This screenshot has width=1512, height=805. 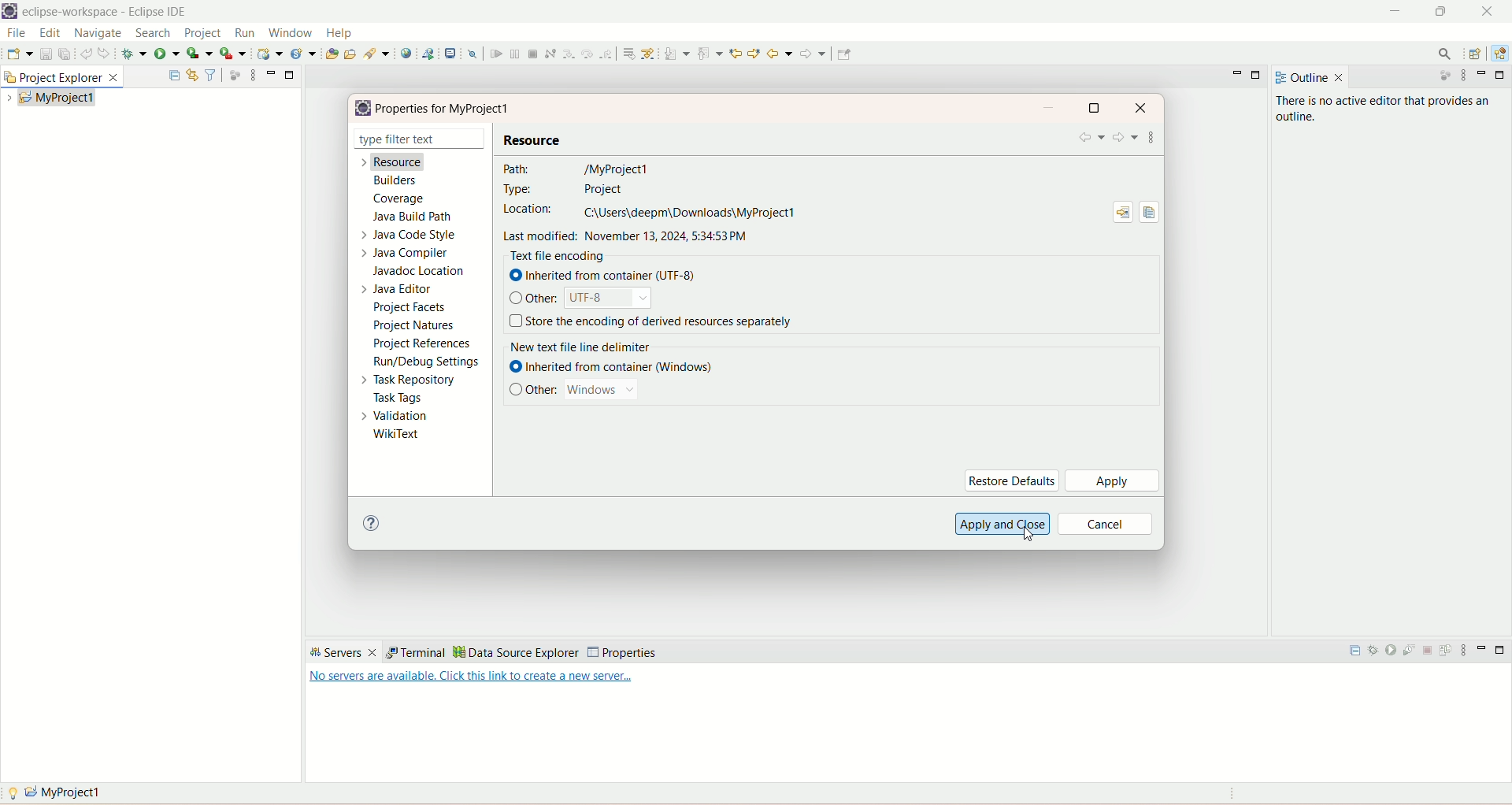 What do you see at coordinates (407, 254) in the screenshot?
I see `java compiler` at bounding box center [407, 254].